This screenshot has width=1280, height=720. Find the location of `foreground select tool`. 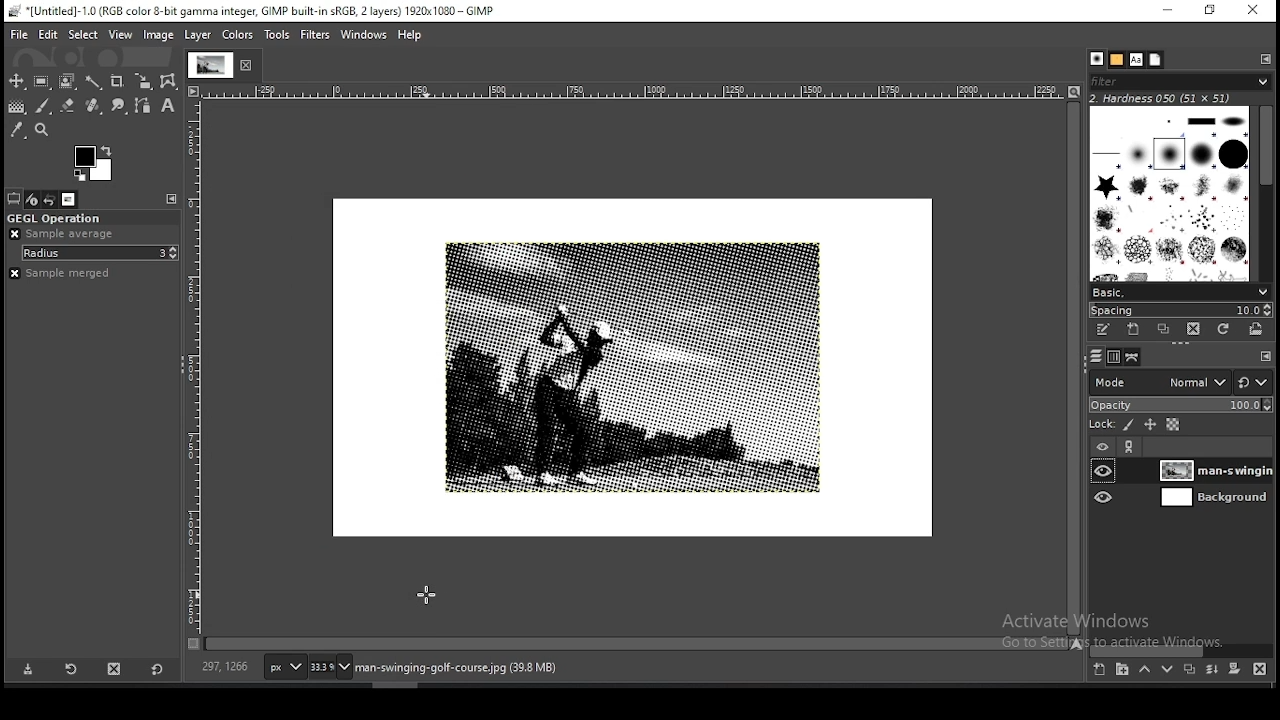

foreground select tool is located at coordinates (66, 82).